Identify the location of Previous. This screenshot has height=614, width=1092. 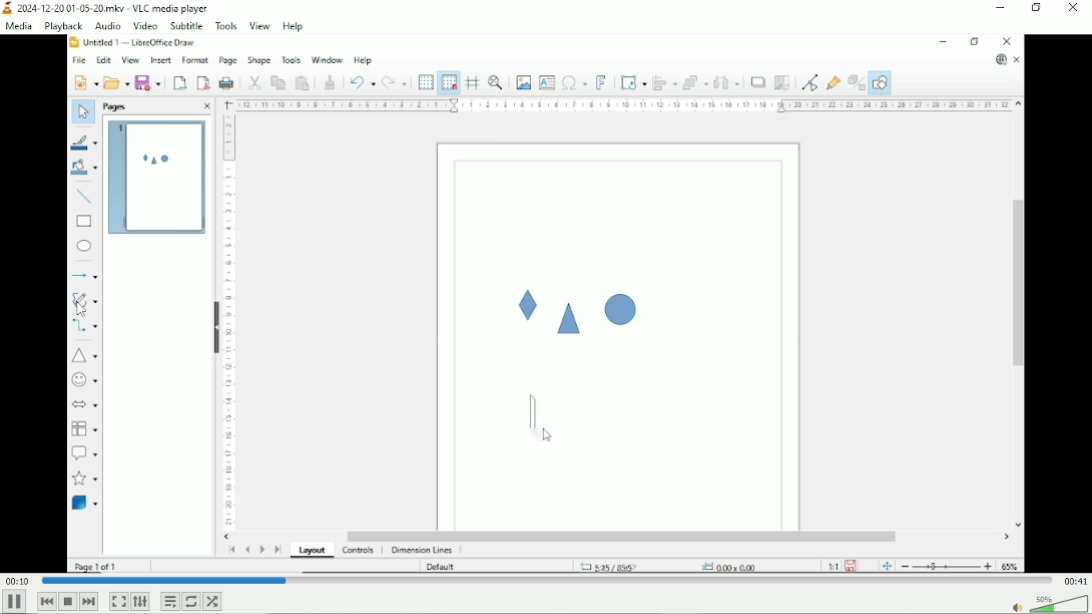
(46, 601).